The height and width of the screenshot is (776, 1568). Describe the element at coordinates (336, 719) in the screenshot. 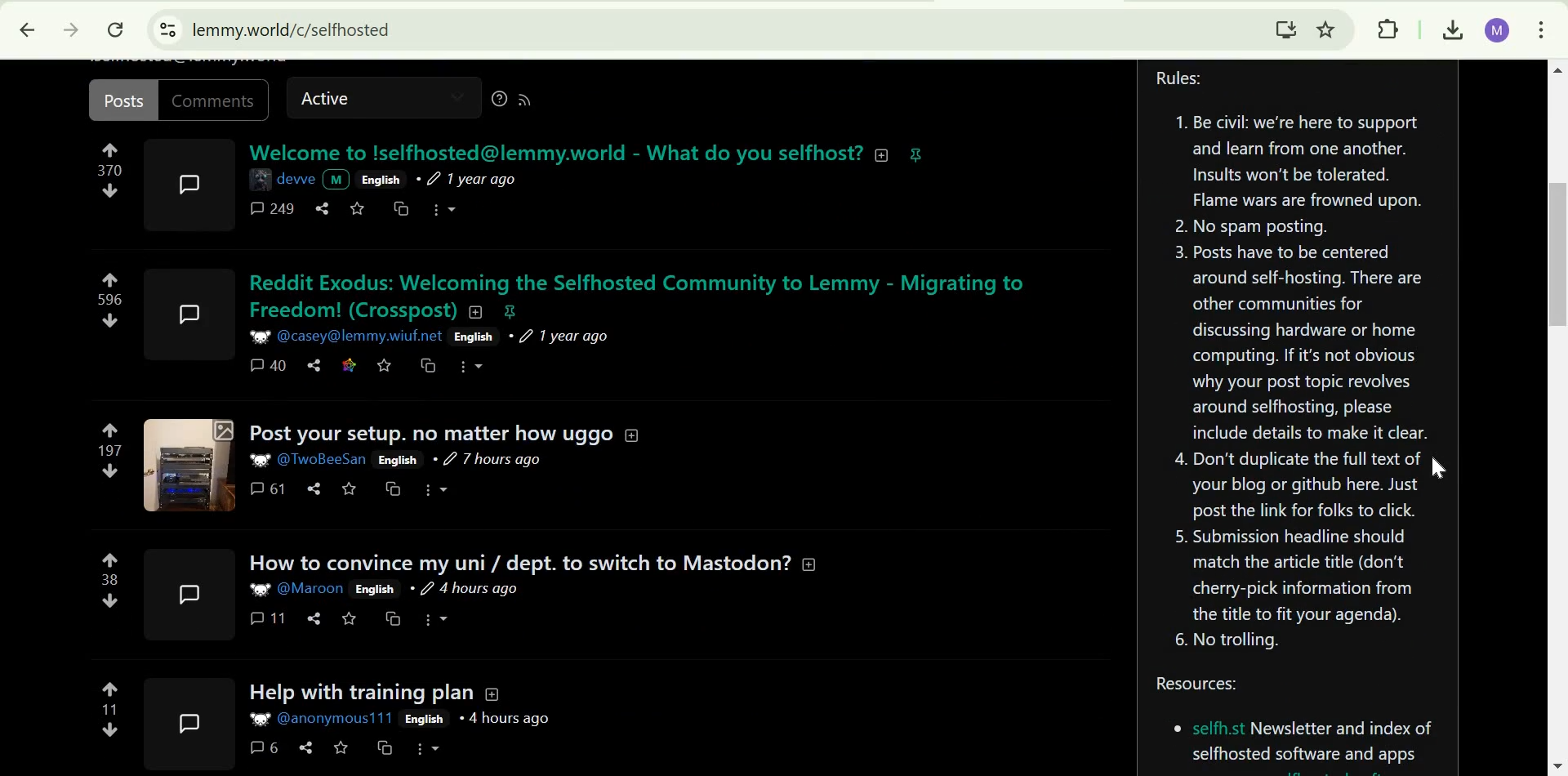

I see `user ID` at that location.